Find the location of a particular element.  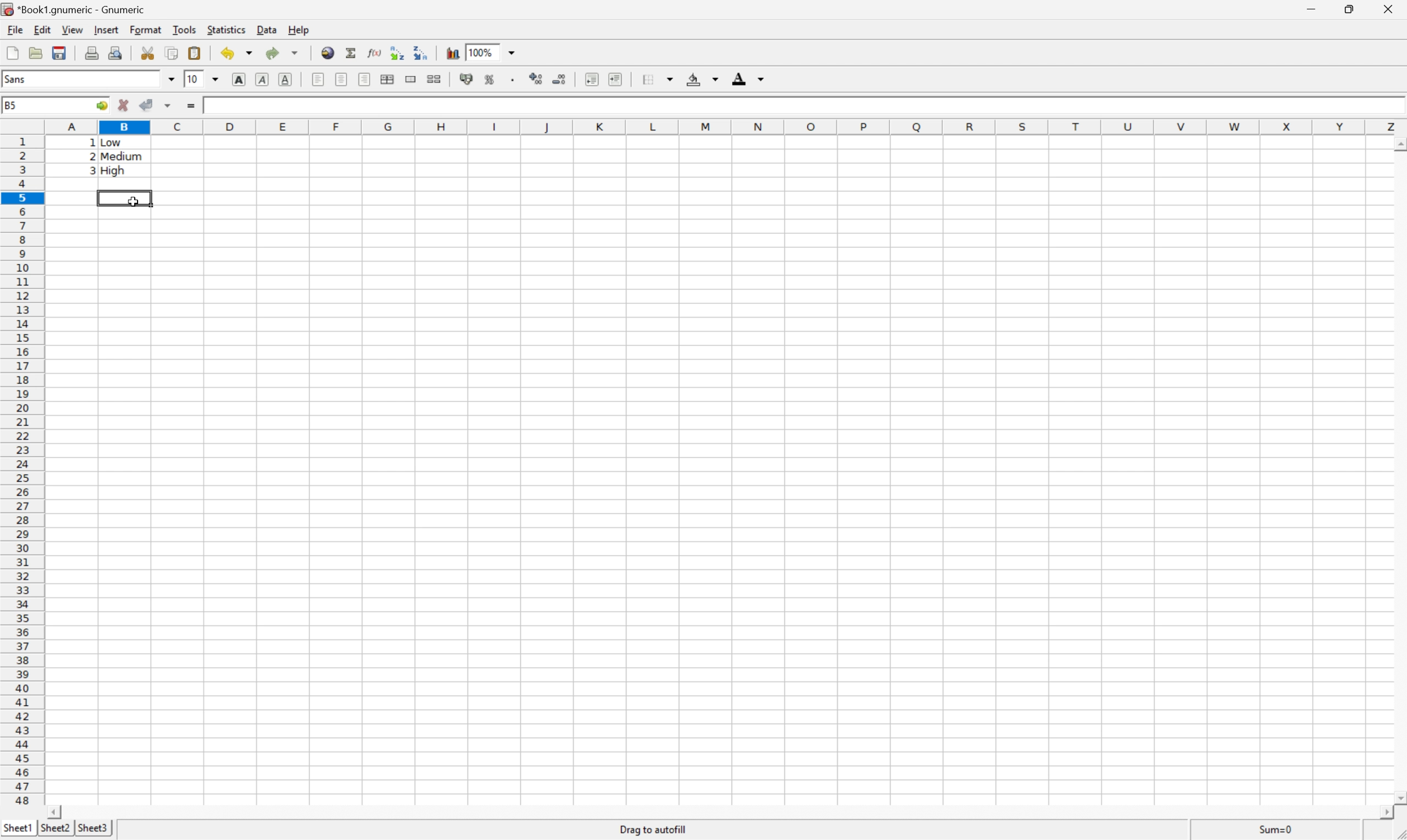

Sheet2 is located at coordinates (55, 828).